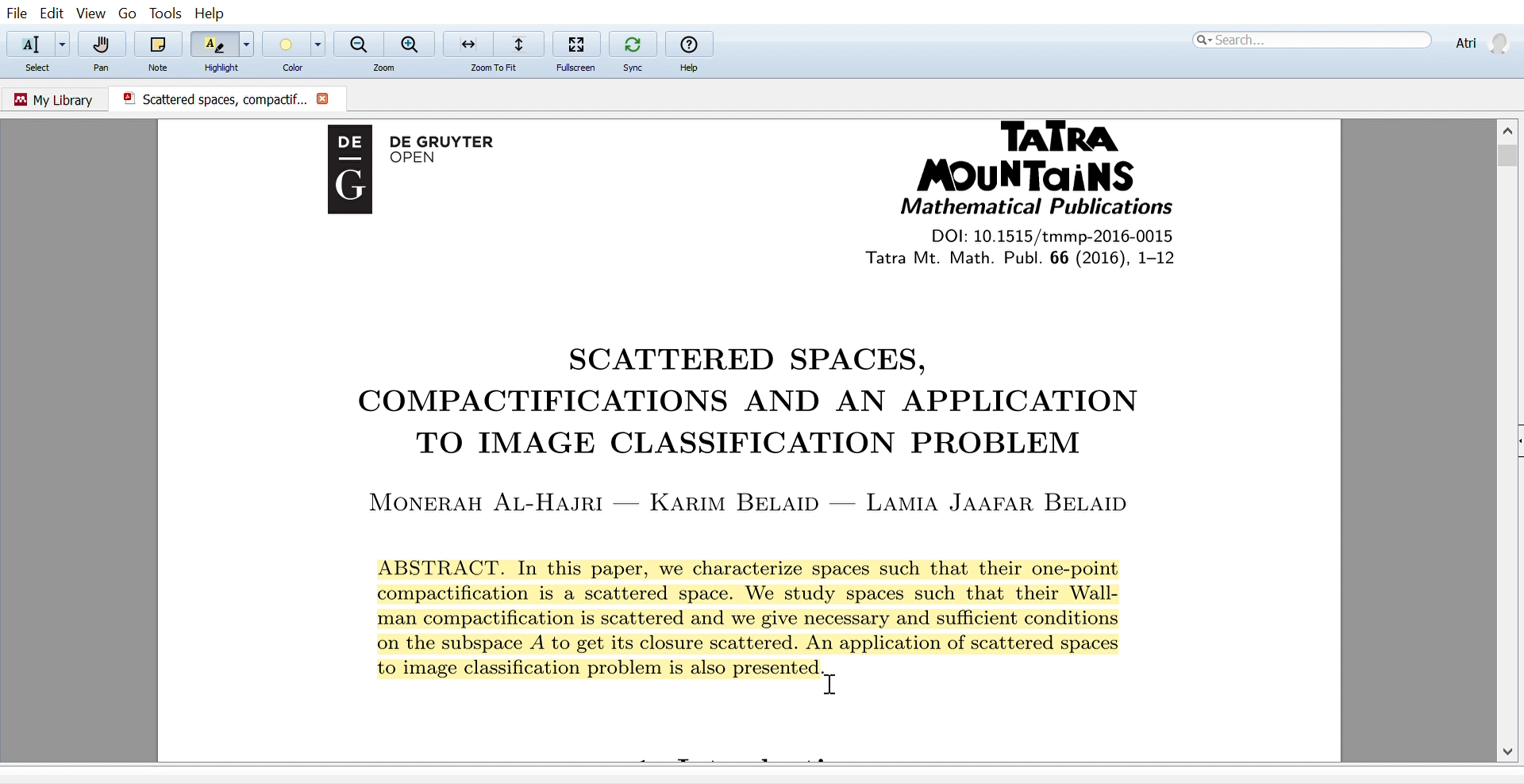  What do you see at coordinates (51, 13) in the screenshot?
I see `Edit` at bounding box center [51, 13].